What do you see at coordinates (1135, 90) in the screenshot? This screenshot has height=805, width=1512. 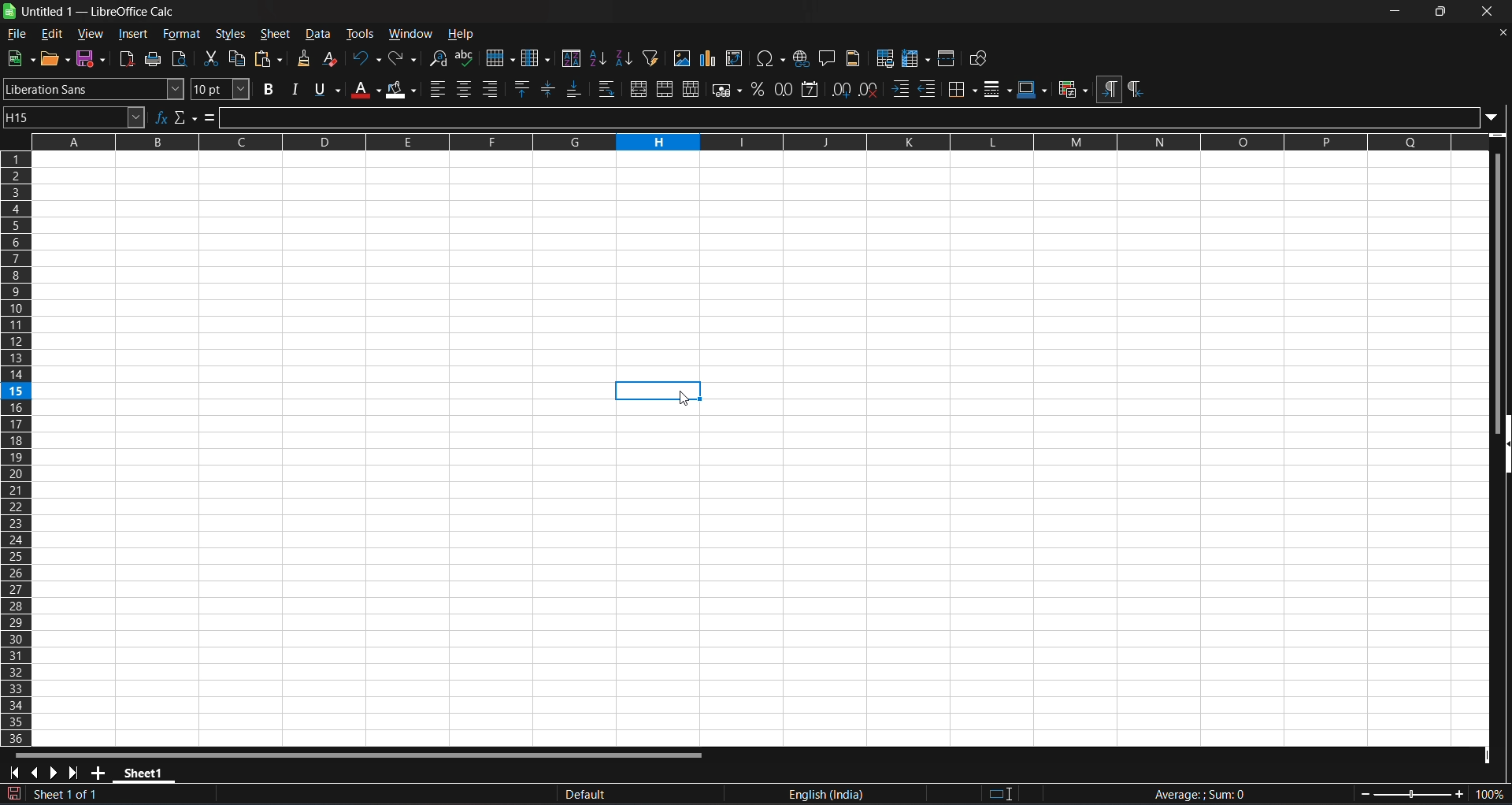 I see `right to left` at bounding box center [1135, 90].